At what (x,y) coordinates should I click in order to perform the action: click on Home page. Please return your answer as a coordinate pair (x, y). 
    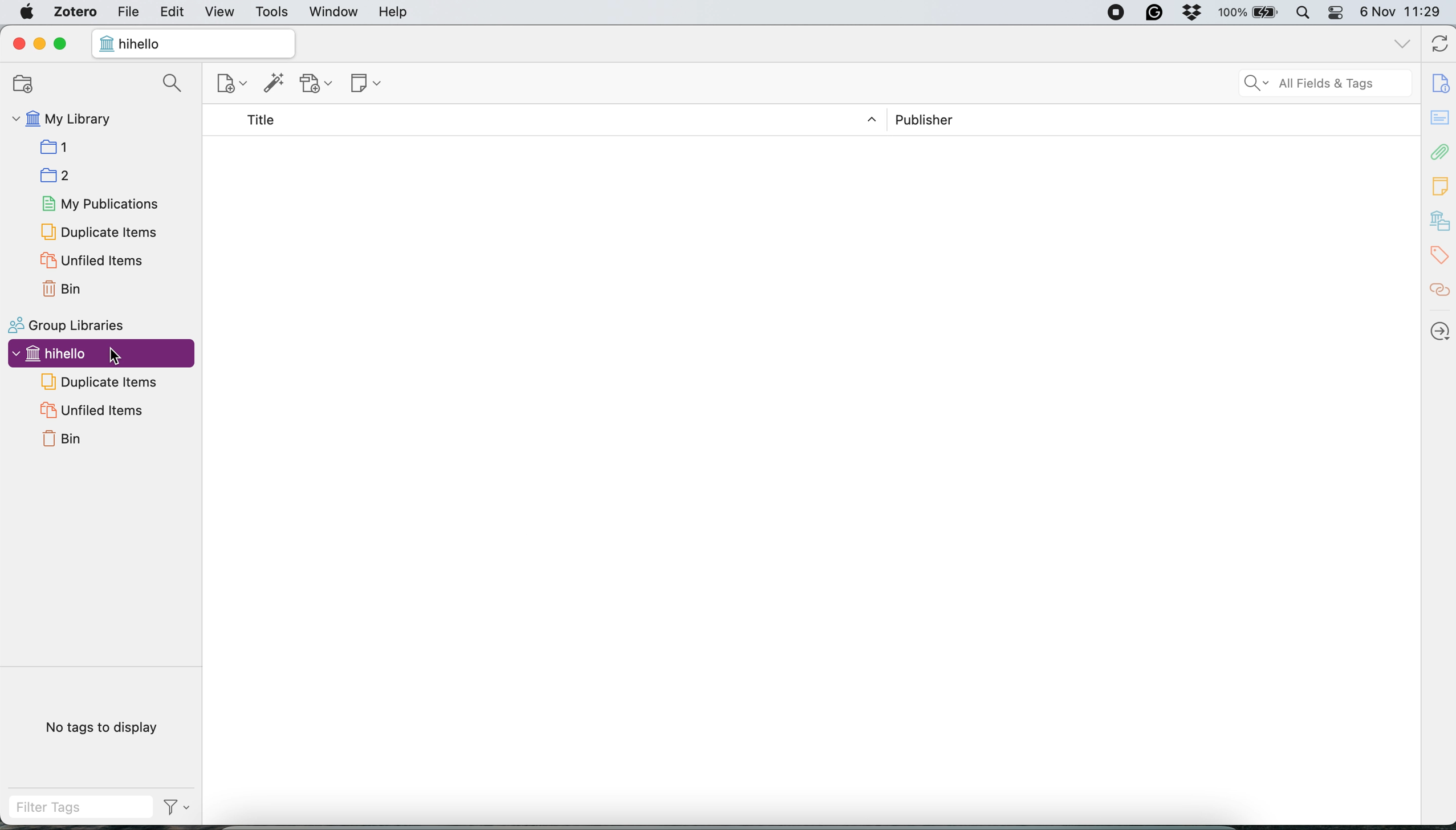
    Looking at the image, I should click on (104, 48).